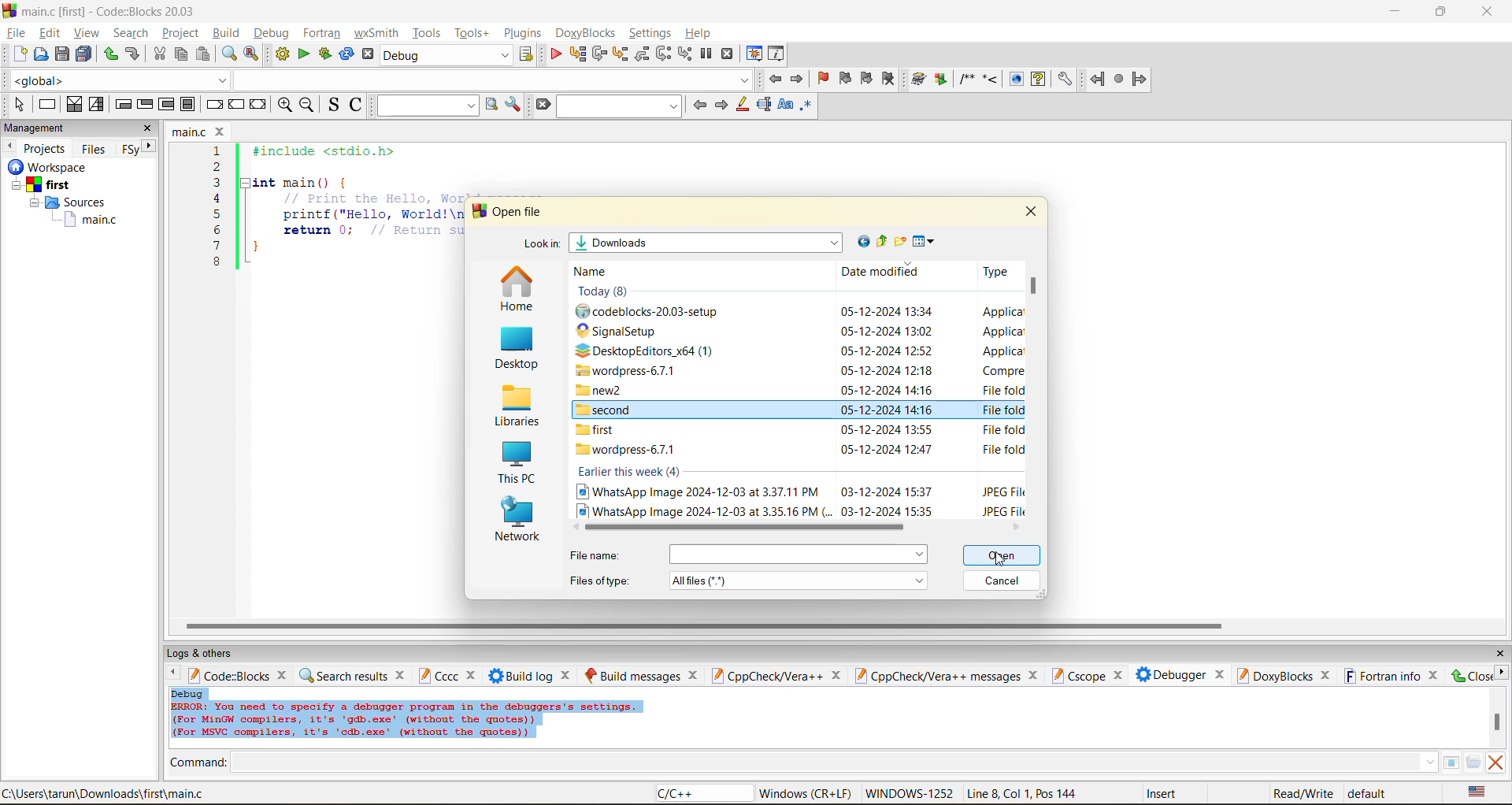  Describe the element at coordinates (799, 580) in the screenshot. I see `file type menu` at that location.